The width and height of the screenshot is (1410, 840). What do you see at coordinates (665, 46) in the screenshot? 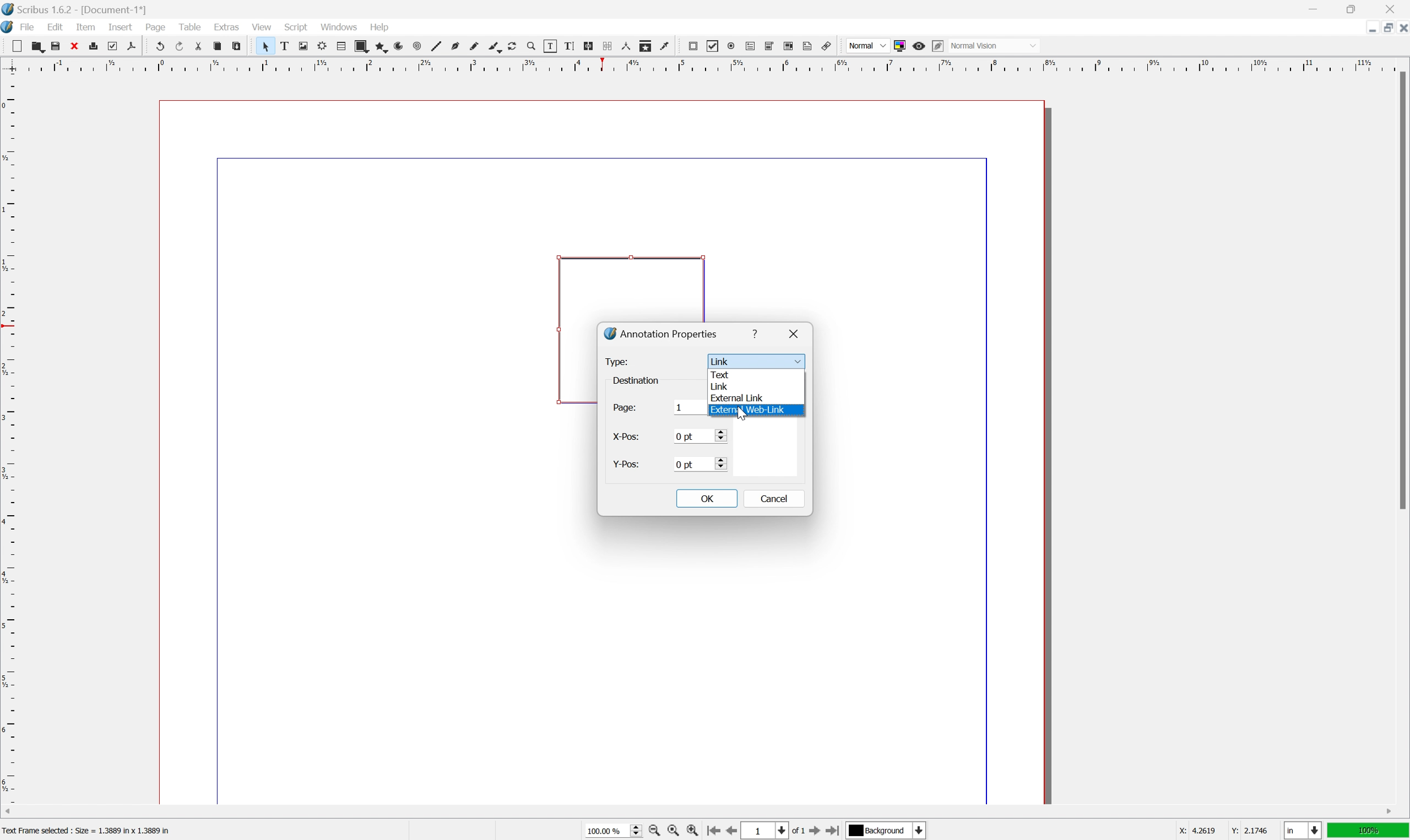
I see `eye dropper` at bounding box center [665, 46].